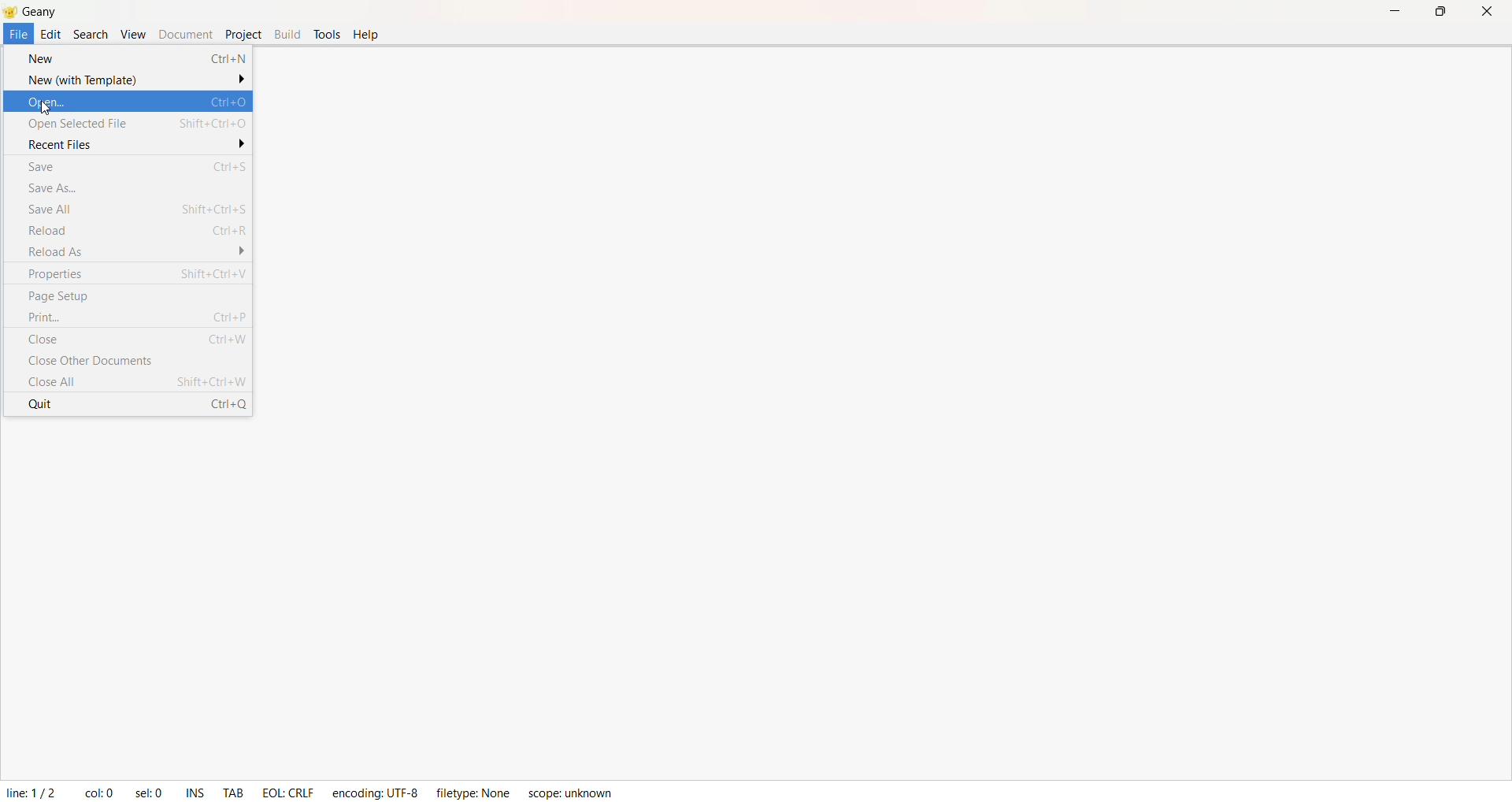  I want to click on help, so click(372, 33).